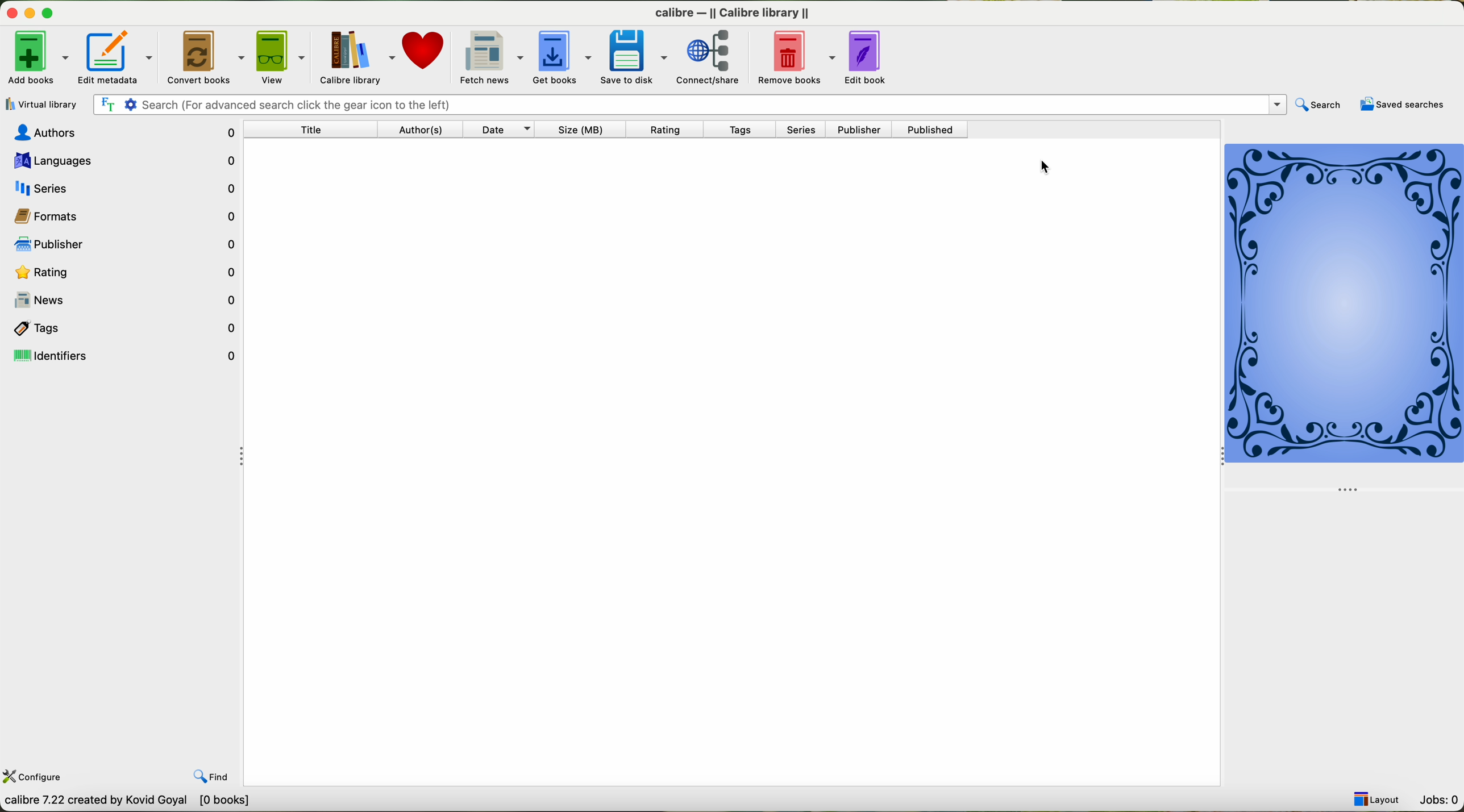  Describe the element at coordinates (48, 13) in the screenshot. I see `maximize` at that location.